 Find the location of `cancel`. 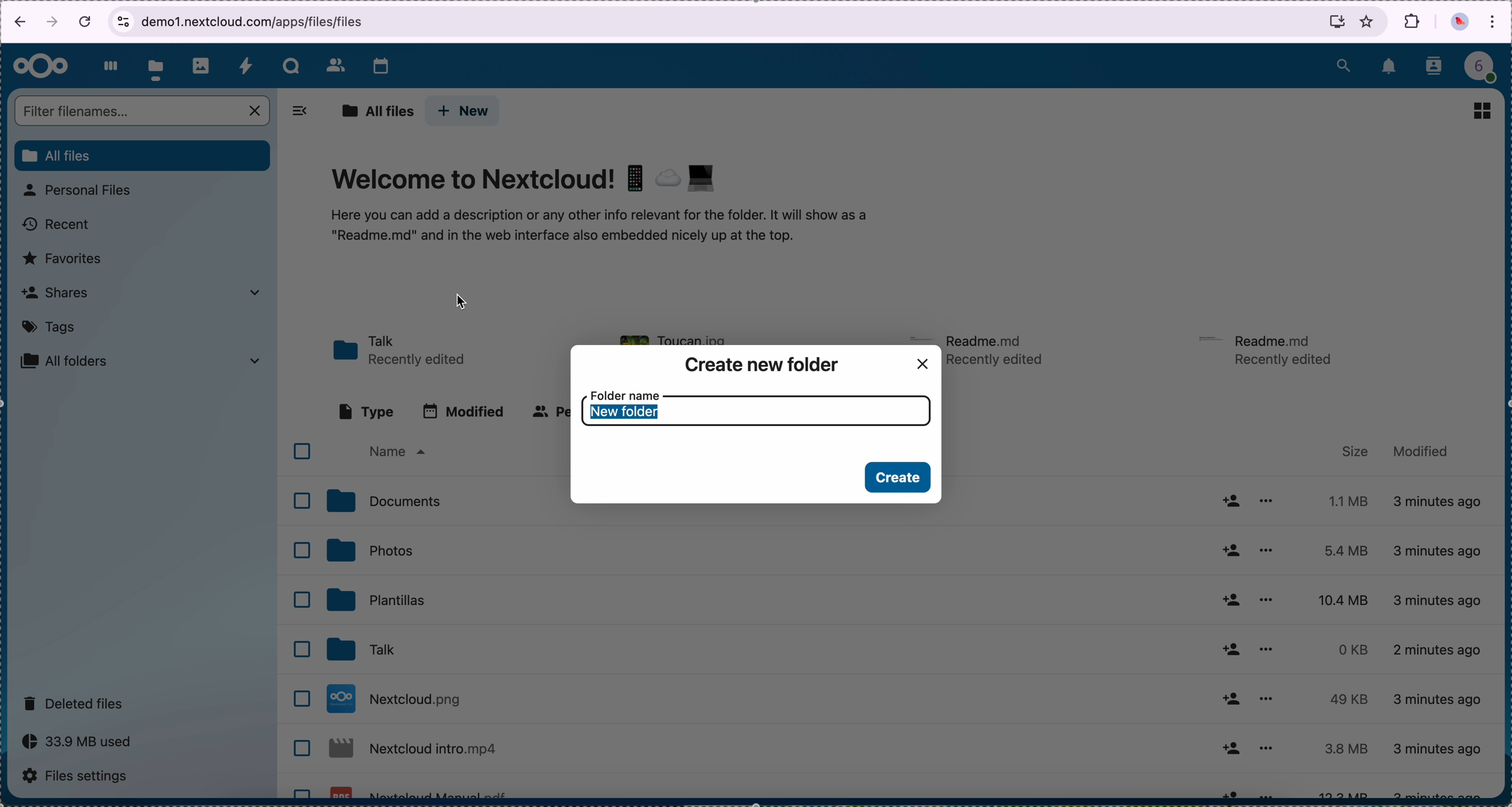

cancel is located at coordinates (87, 21).